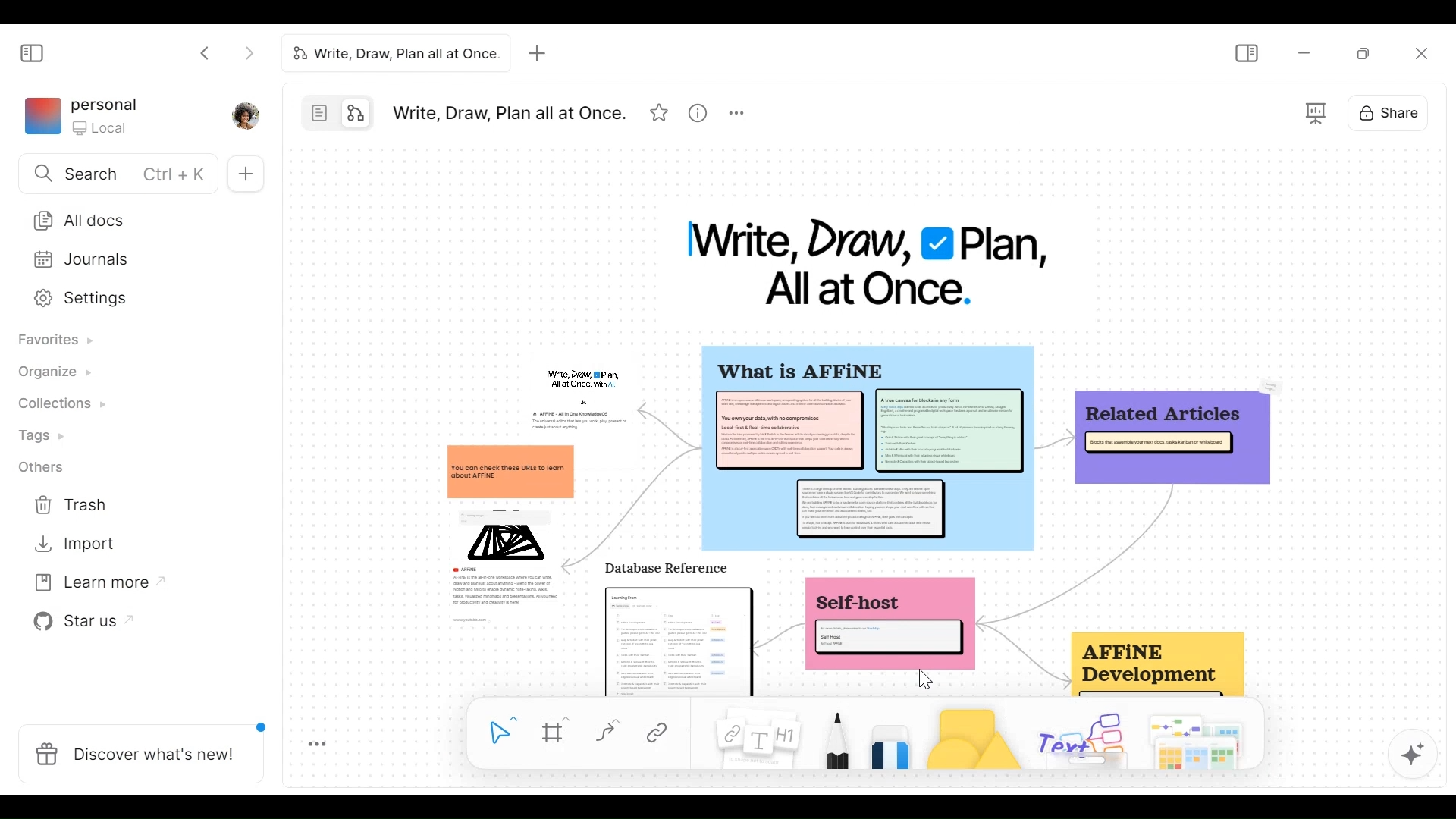  I want to click on More, so click(736, 114).